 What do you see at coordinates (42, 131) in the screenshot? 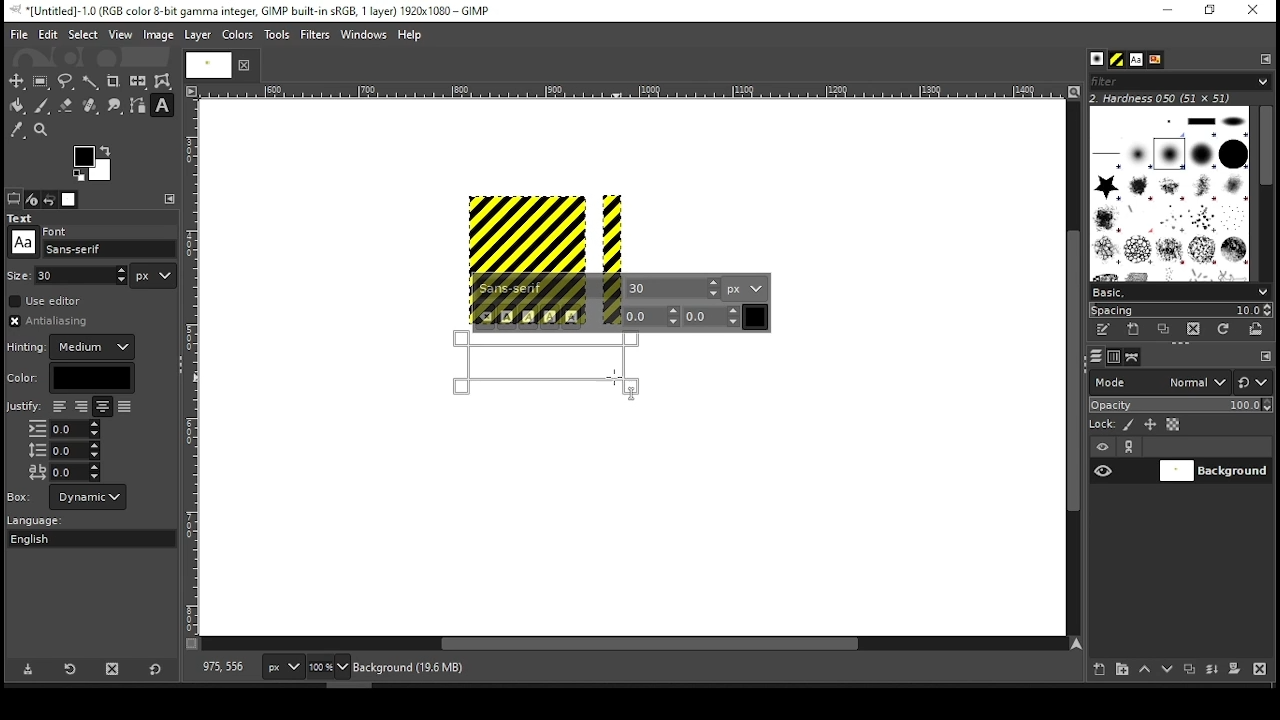
I see `zoom tool` at bounding box center [42, 131].